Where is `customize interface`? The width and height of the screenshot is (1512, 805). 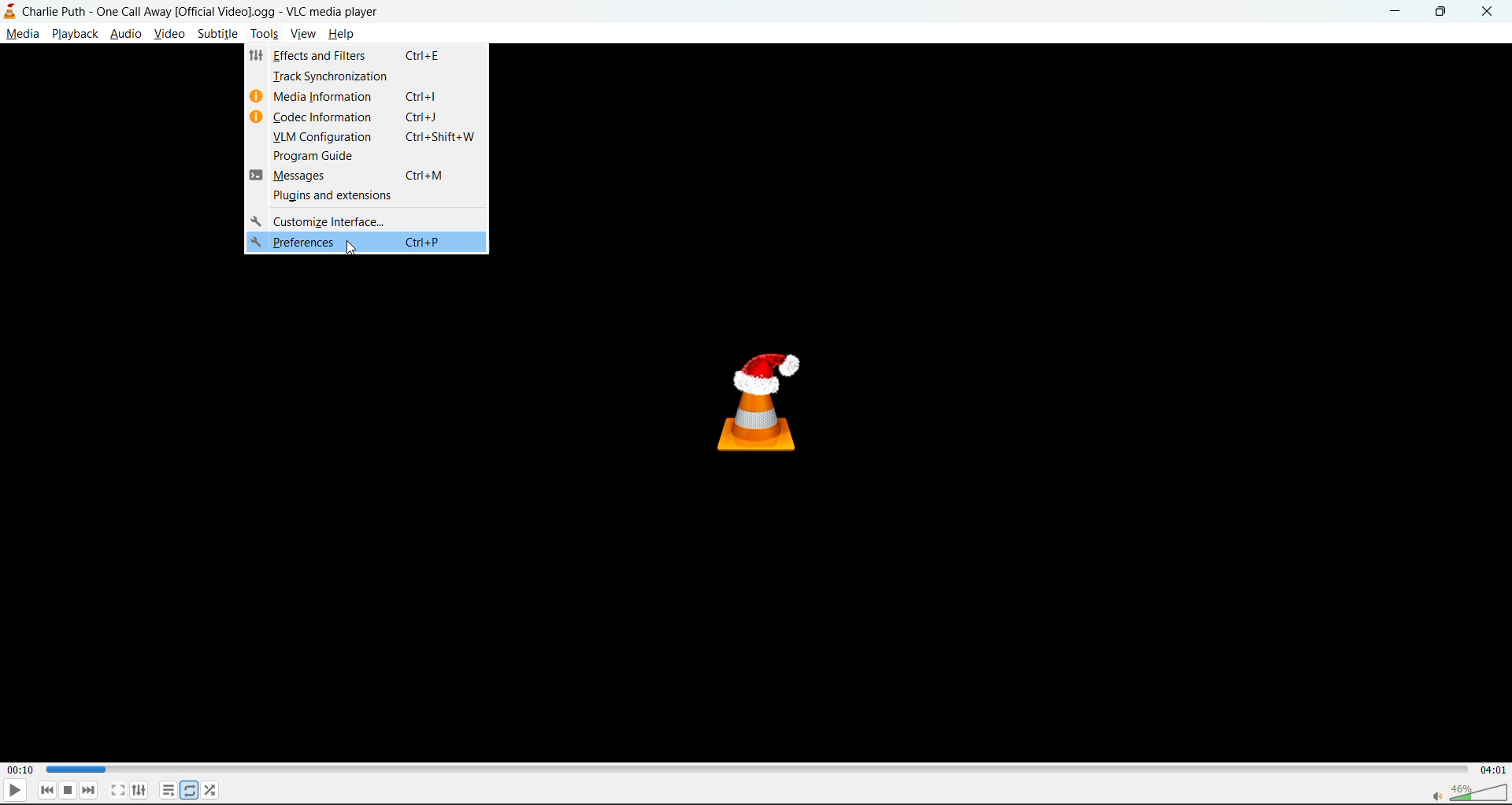 customize interface is located at coordinates (321, 221).